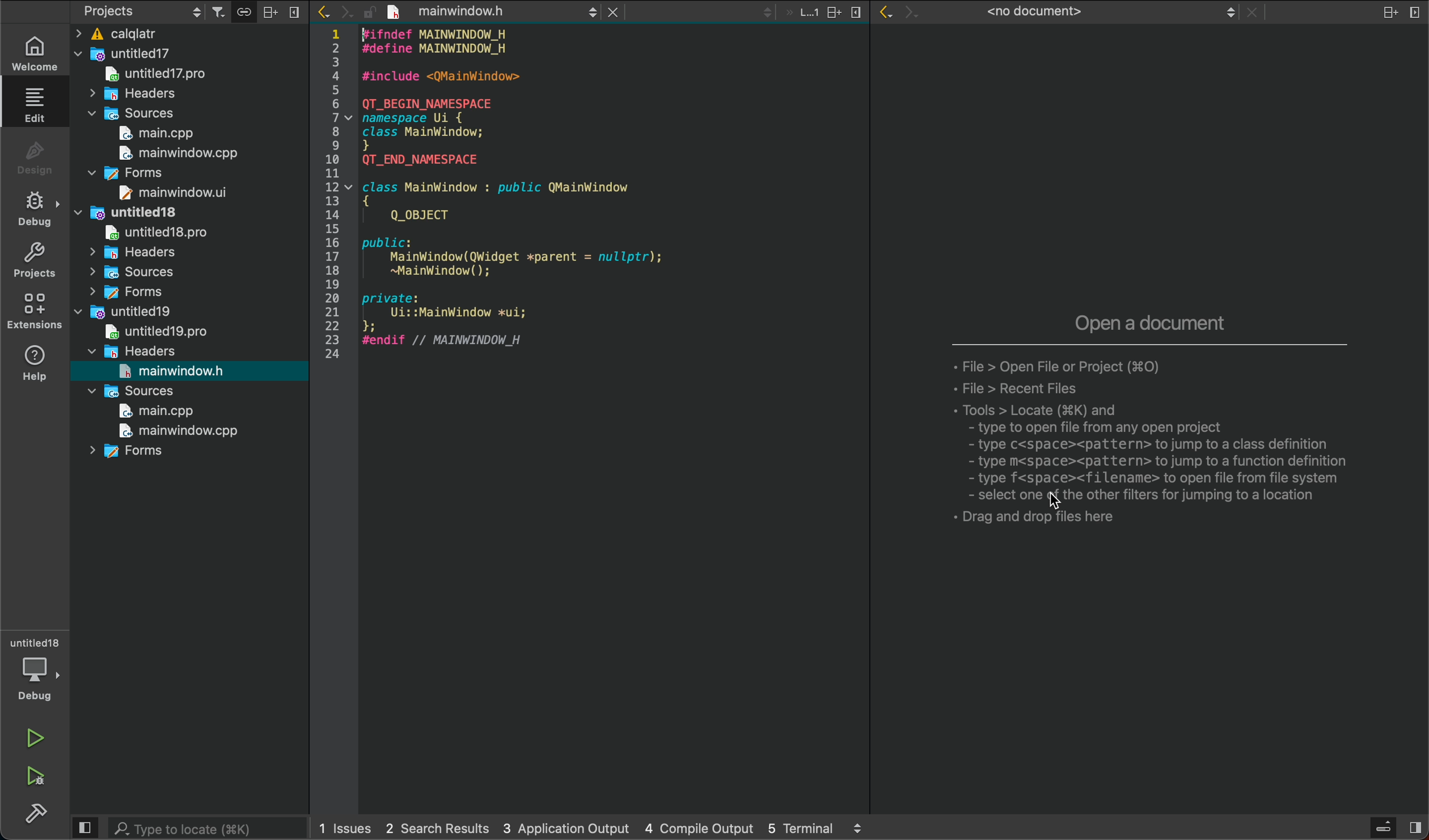 The height and width of the screenshot is (840, 1429). Describe the element at coordinates (1136, 426) in the screenshot. I see `empty tab` at that location.